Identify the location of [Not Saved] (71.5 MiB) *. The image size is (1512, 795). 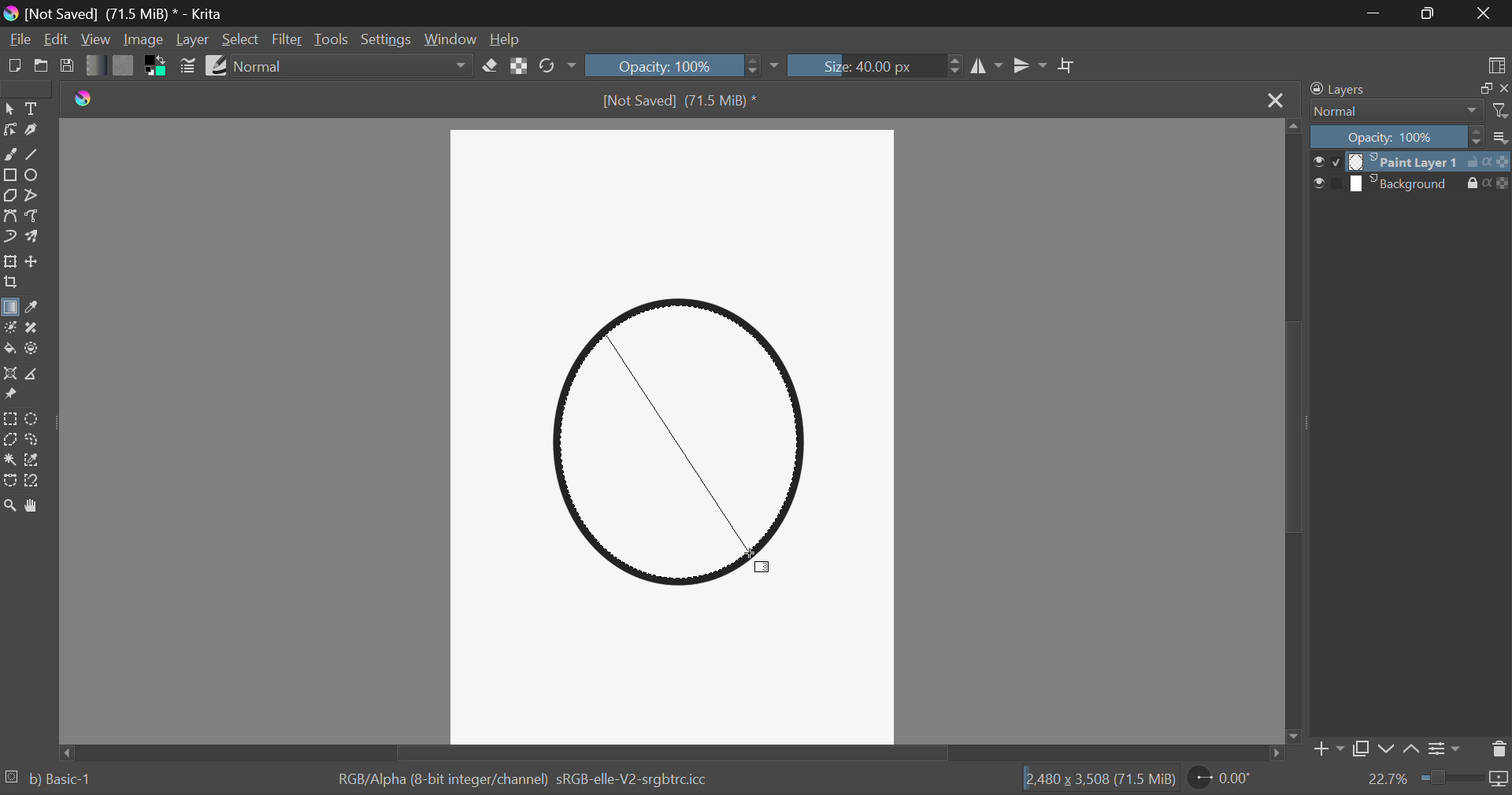
(680, 102).